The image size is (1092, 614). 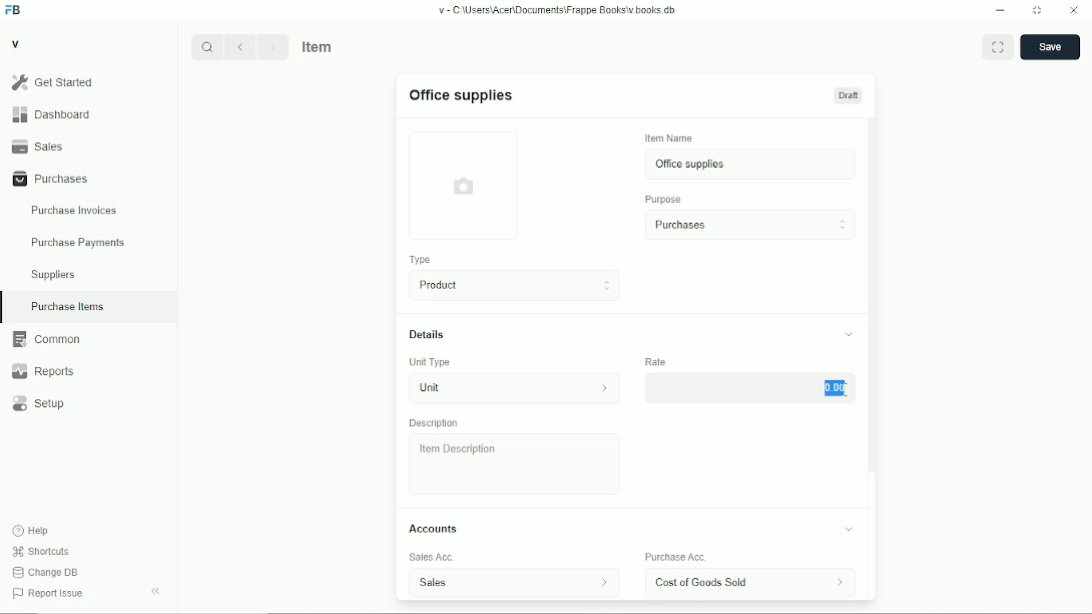 I want to click on toggle sidebar, so click(x=157, y=591).